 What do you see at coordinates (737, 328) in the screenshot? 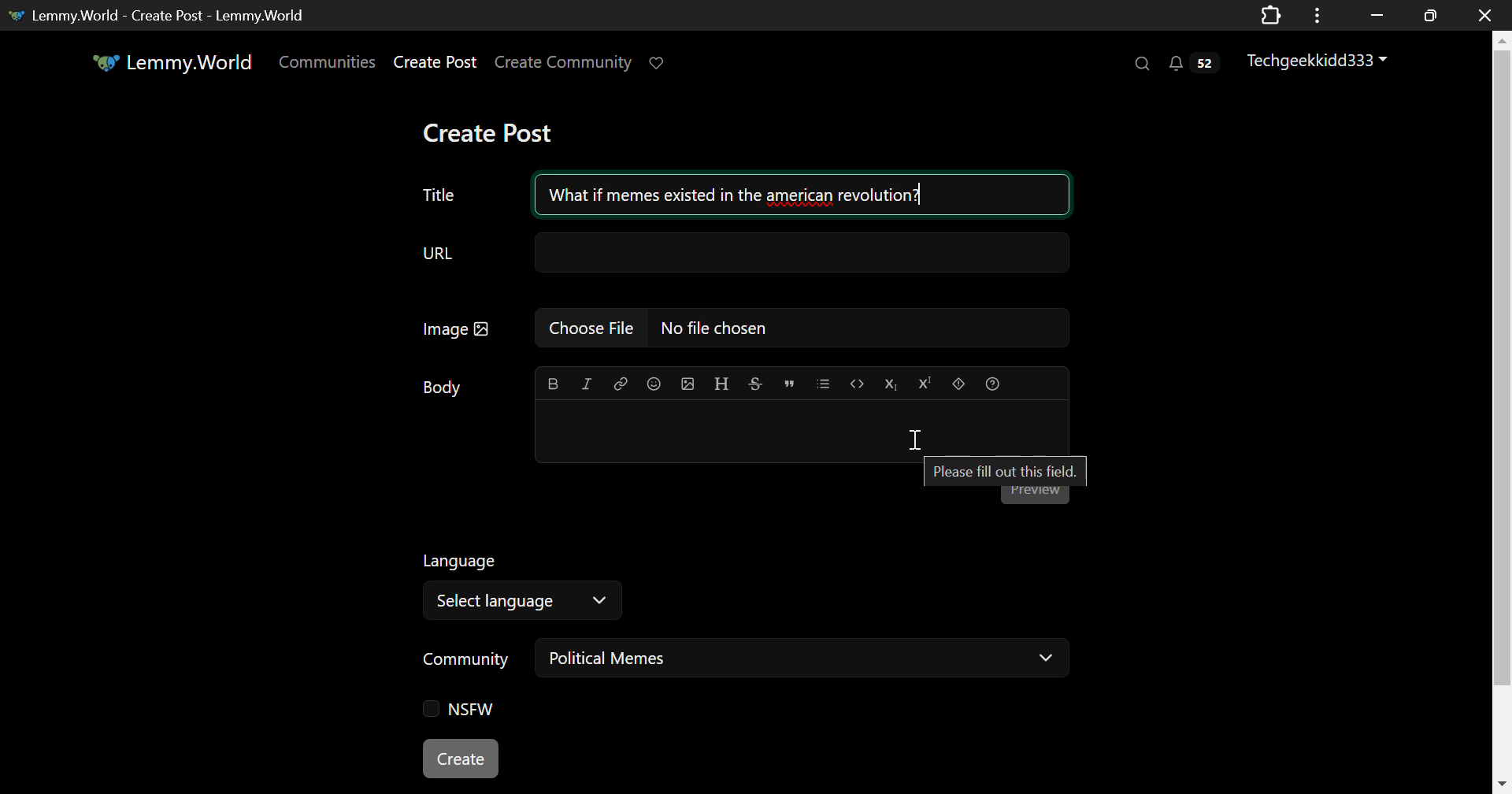
I see `Insert Image Field` at bounding box center [737, 328].